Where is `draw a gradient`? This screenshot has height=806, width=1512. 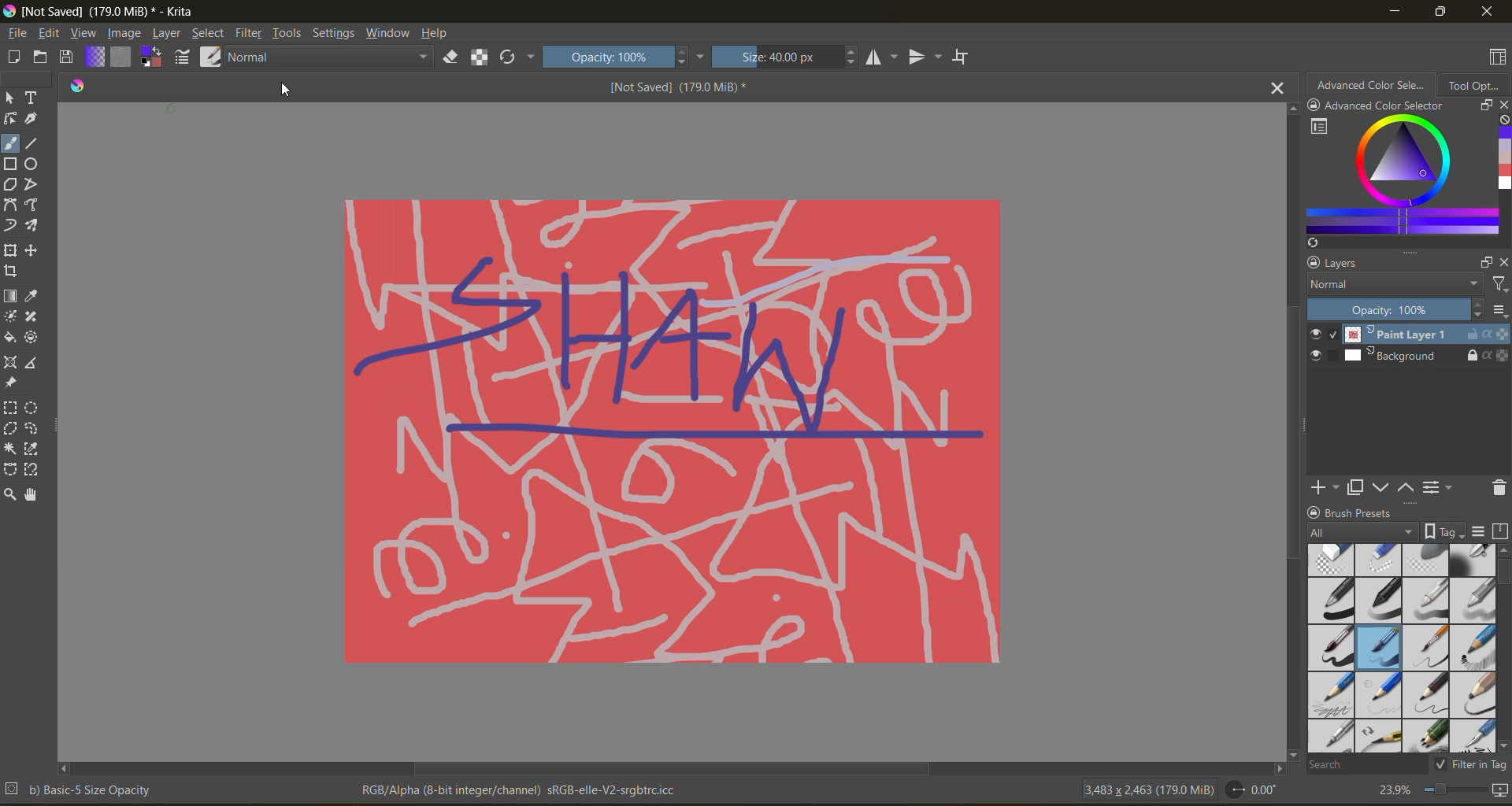 draw a gradient is located at coordinates (11, 296).